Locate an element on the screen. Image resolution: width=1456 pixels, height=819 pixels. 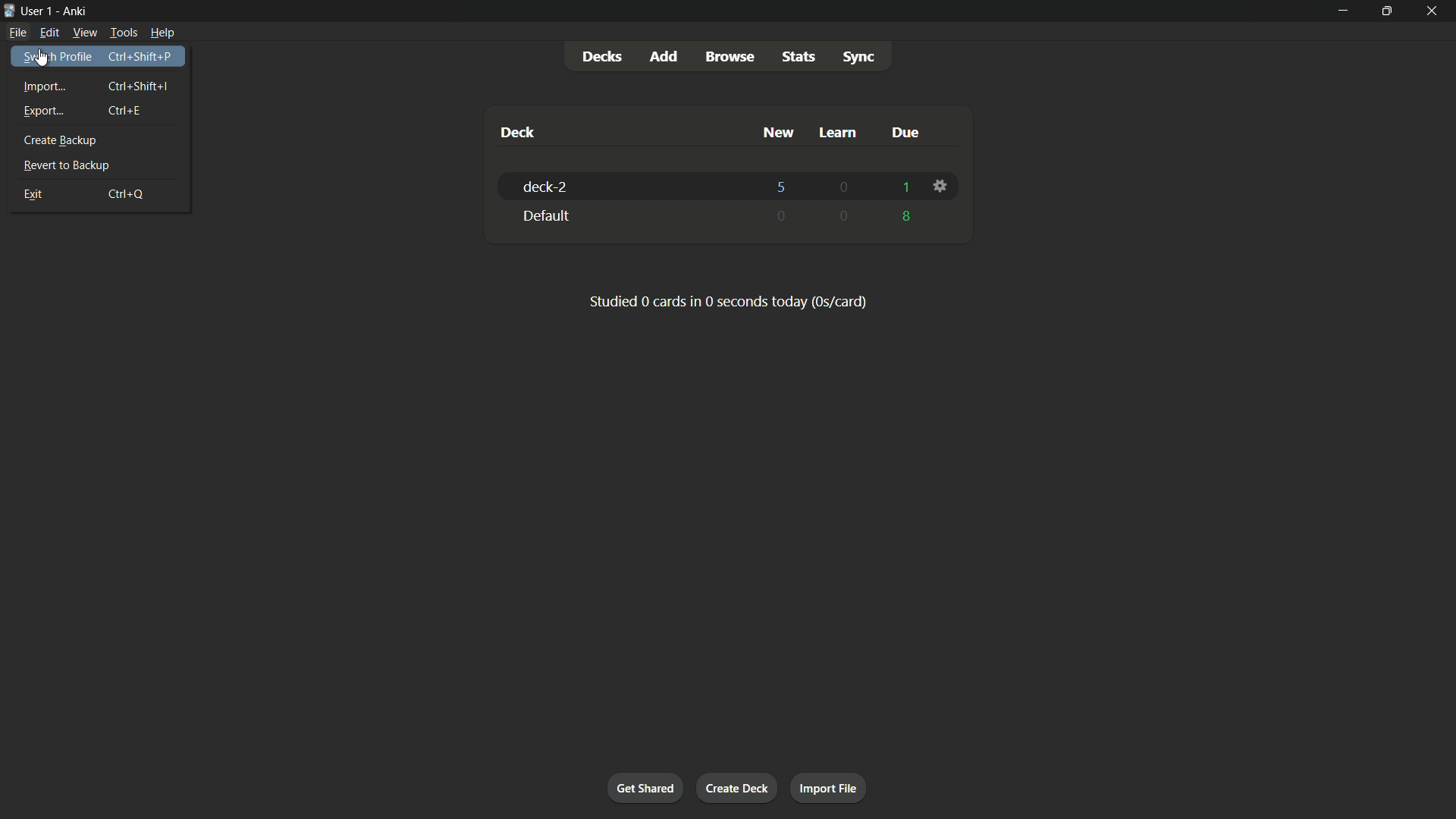
due is located at coordinates (905, 132).